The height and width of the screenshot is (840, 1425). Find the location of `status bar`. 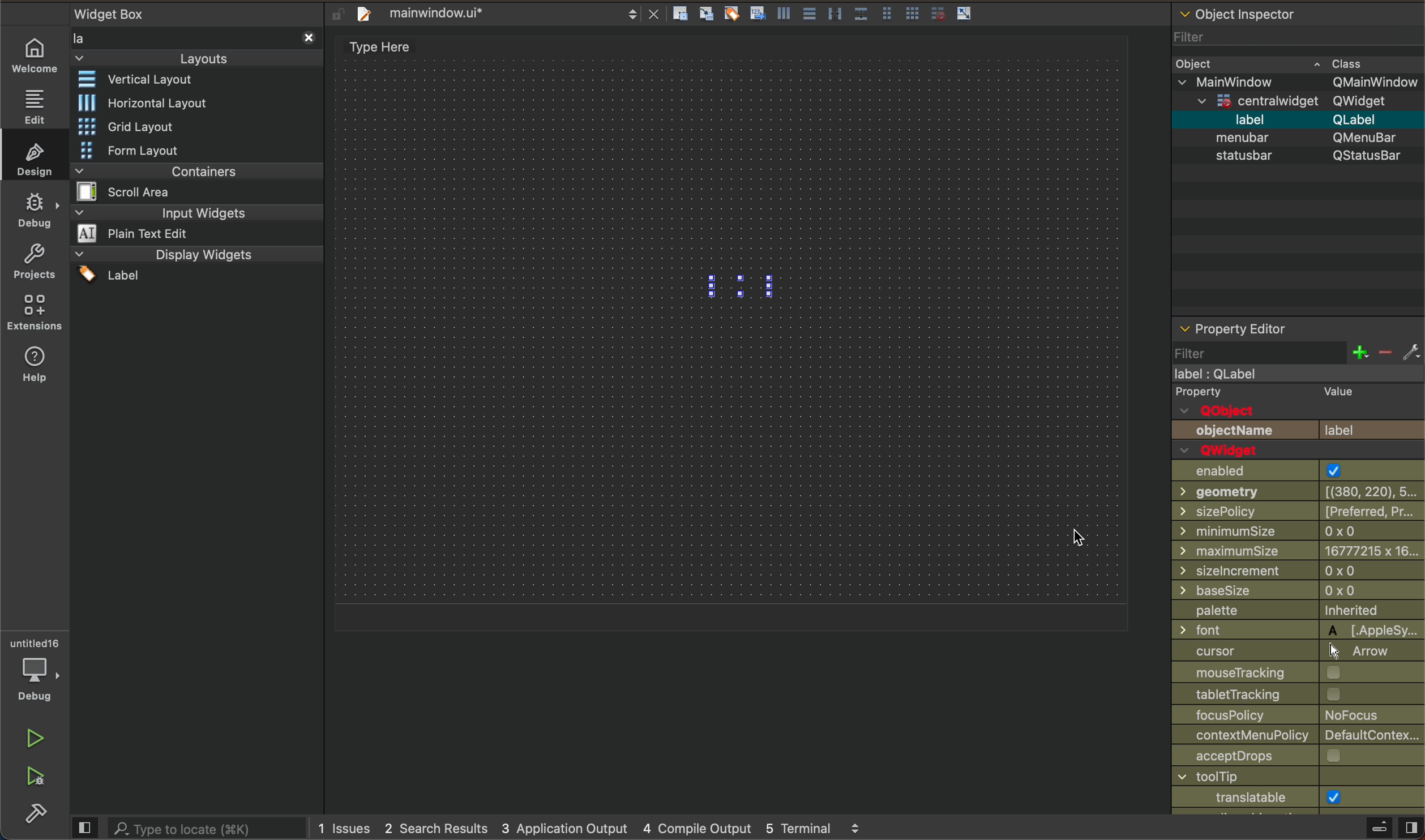

status bar is located at coordinates (1301, 161).